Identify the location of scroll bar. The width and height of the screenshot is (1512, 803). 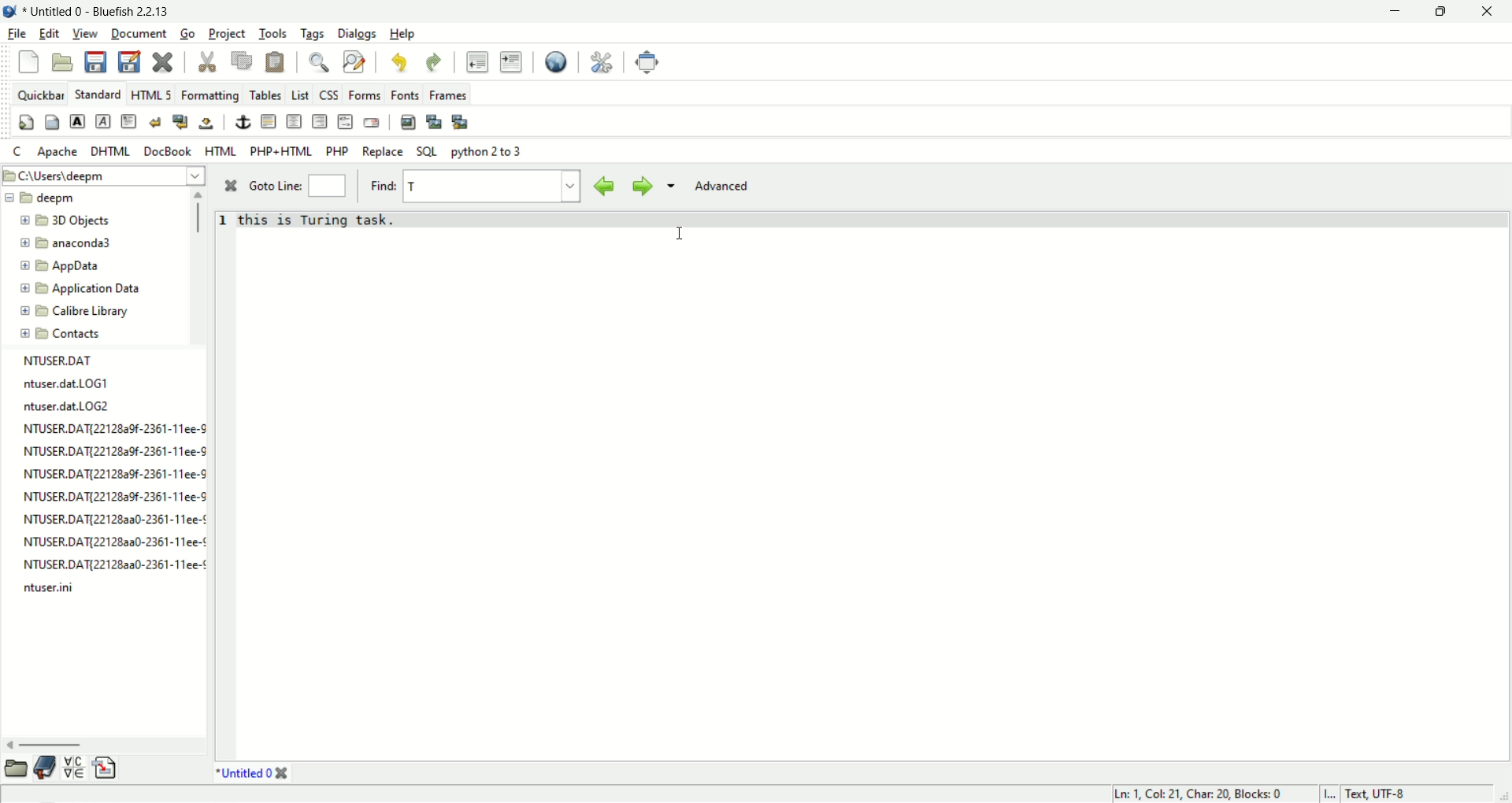
(99, 746).